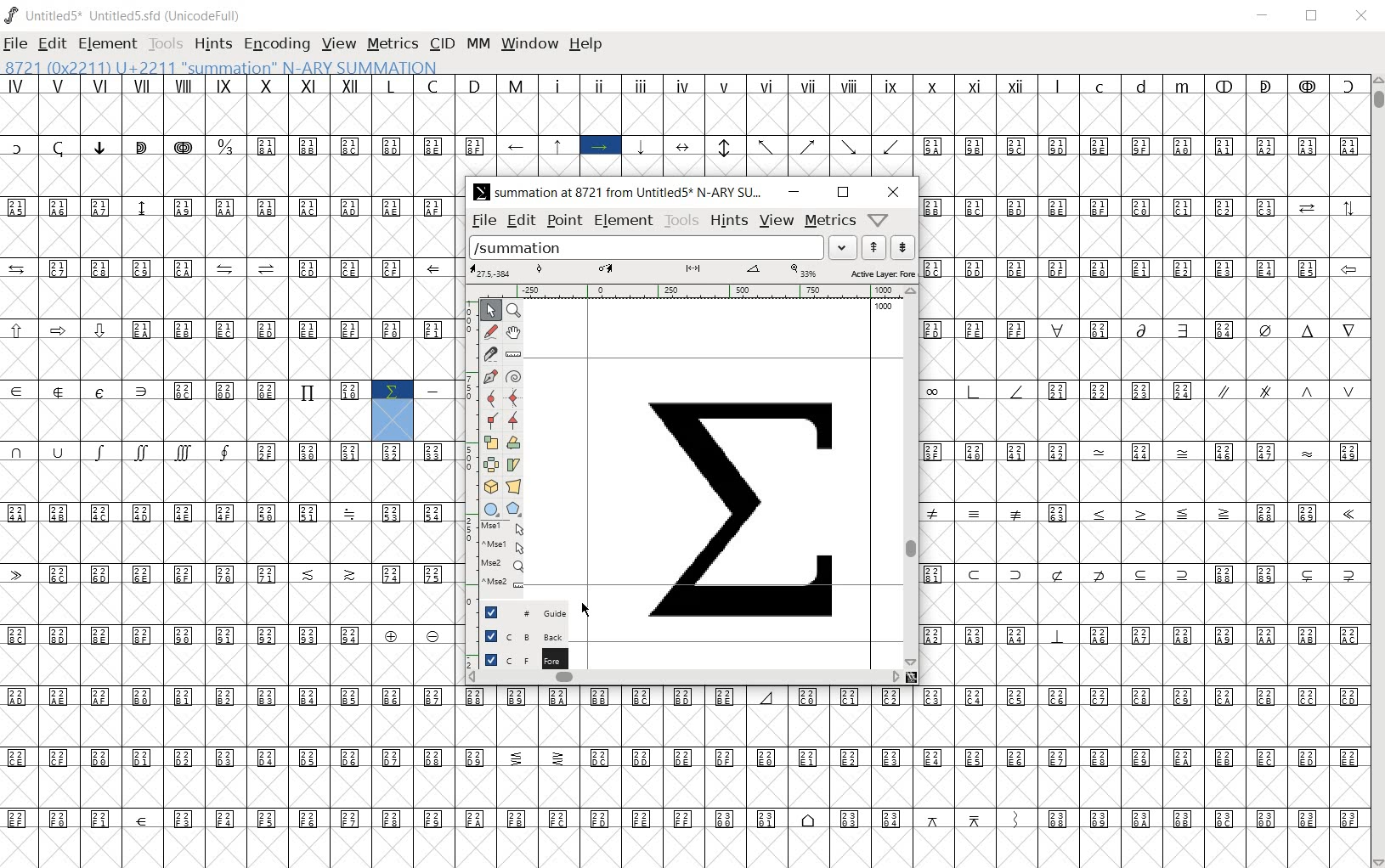  I want to click on hints, so click(728, 220).